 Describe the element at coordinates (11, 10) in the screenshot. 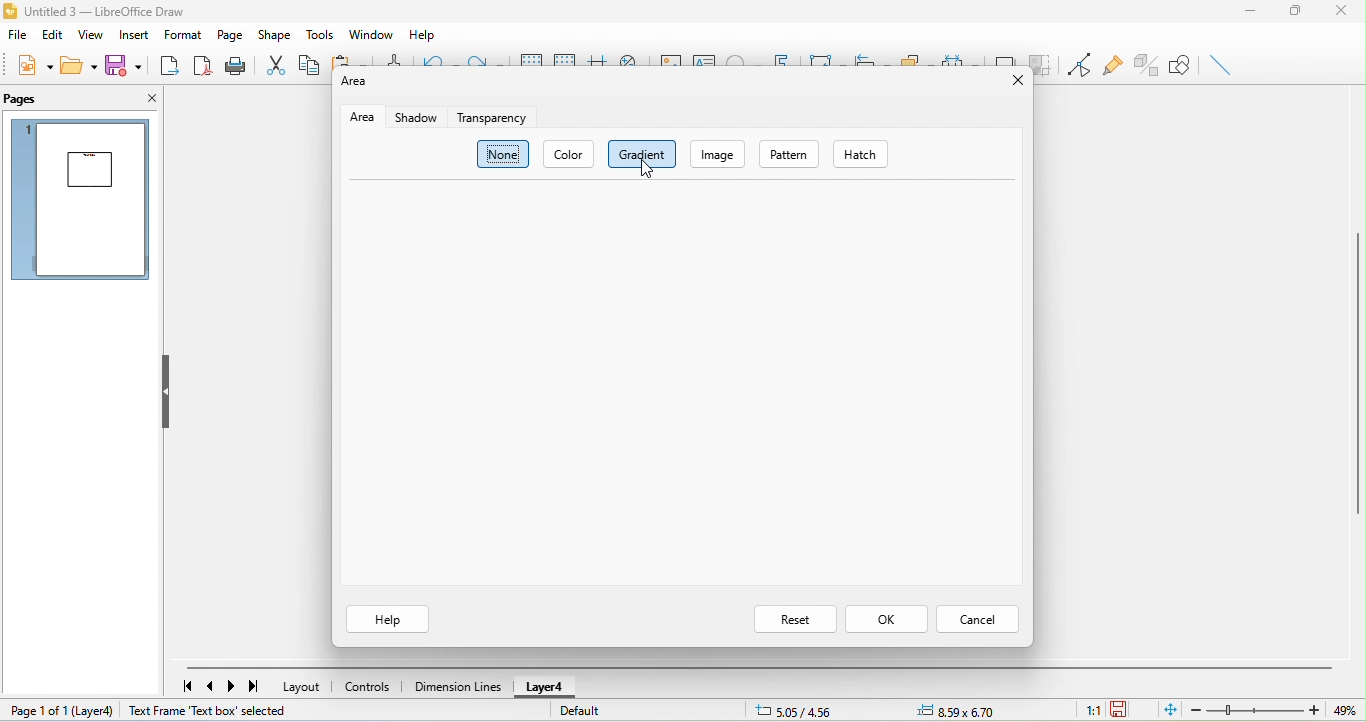

I see `libre office draw logo` at that location.